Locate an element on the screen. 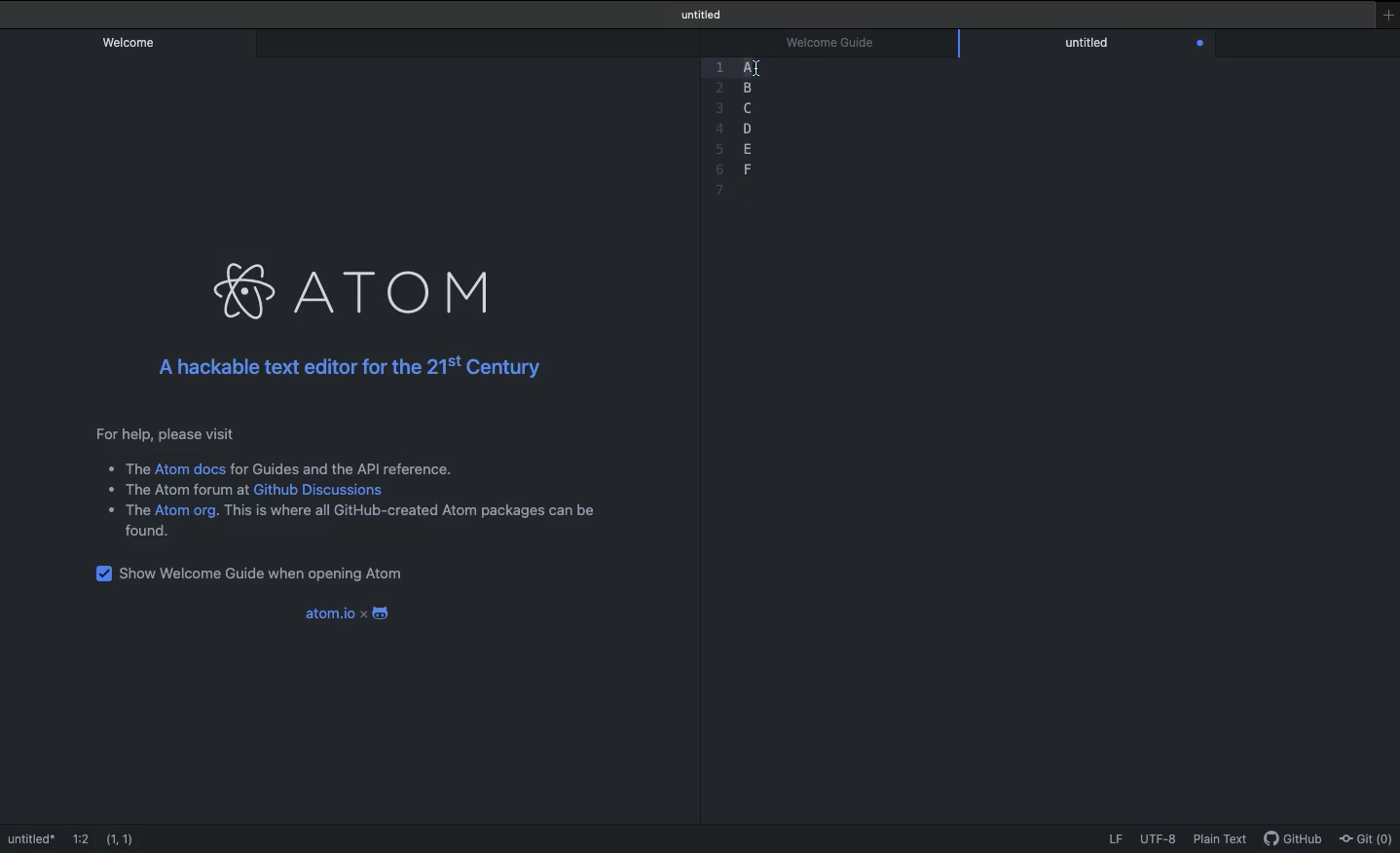  Welcome guide is located at coordinates (51, 838).